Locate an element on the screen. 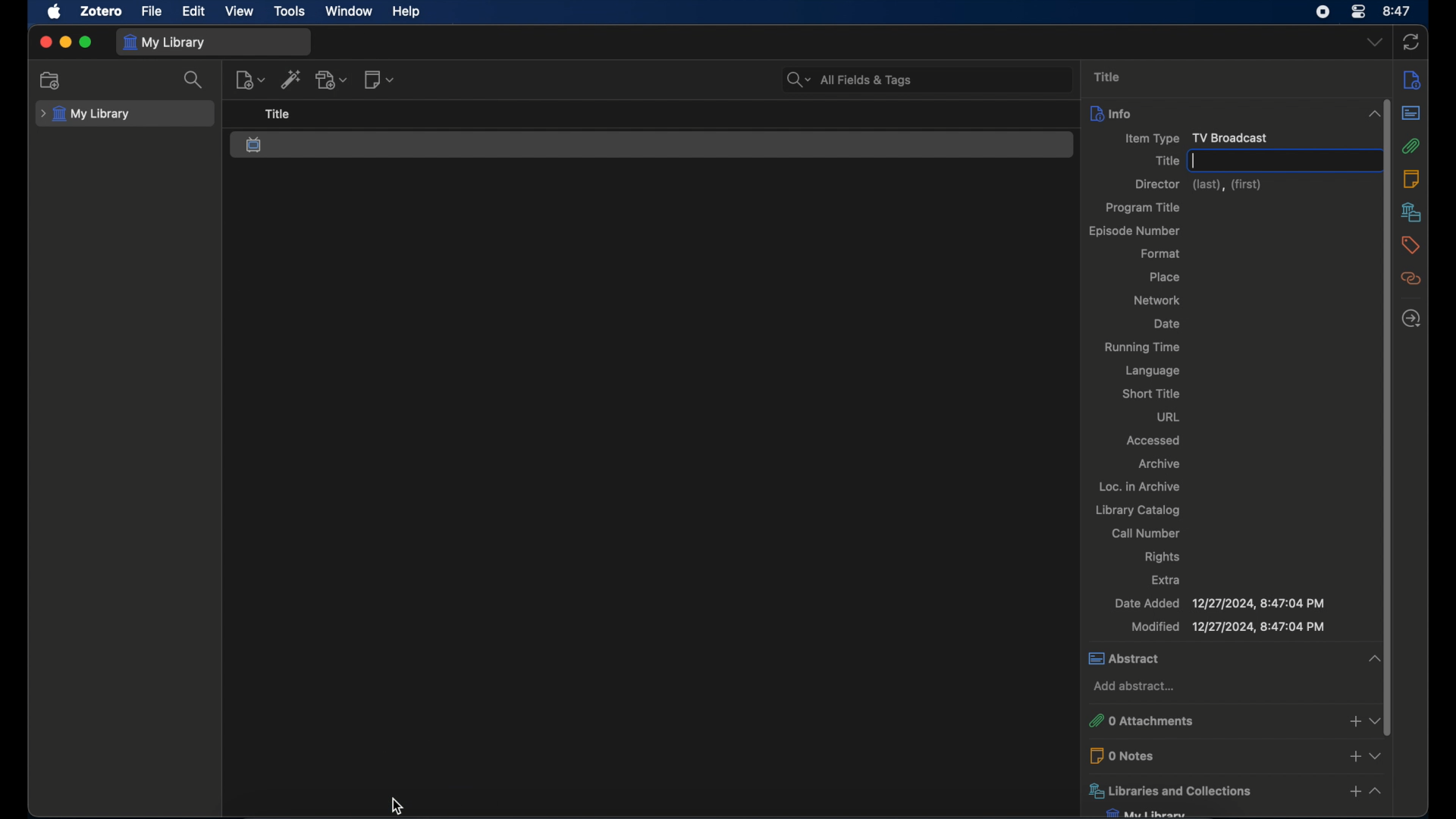  vertical scrollbar is located at coordinates (1386, 473).